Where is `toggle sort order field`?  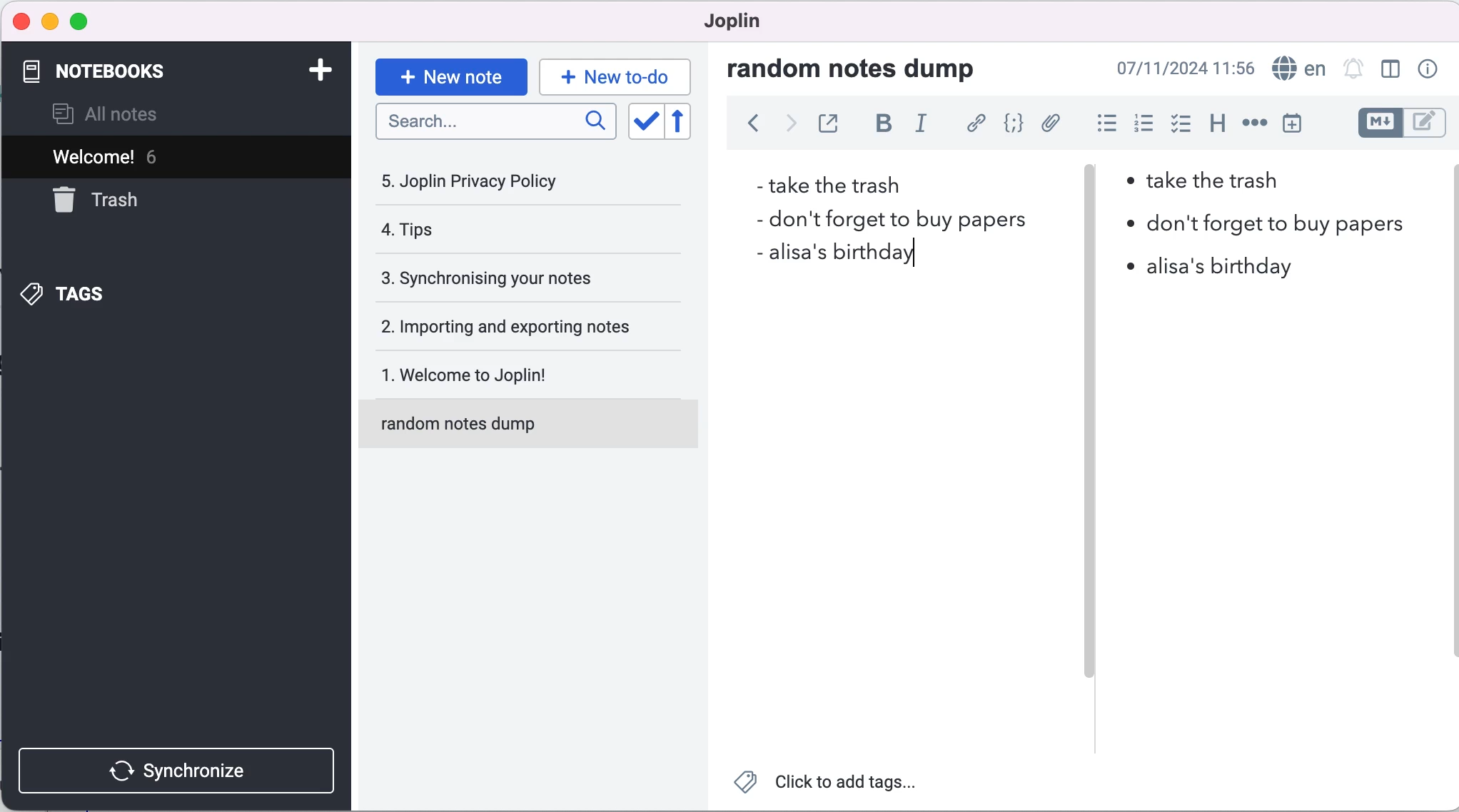 toggle sort order field is located at coordinates (644, 121).